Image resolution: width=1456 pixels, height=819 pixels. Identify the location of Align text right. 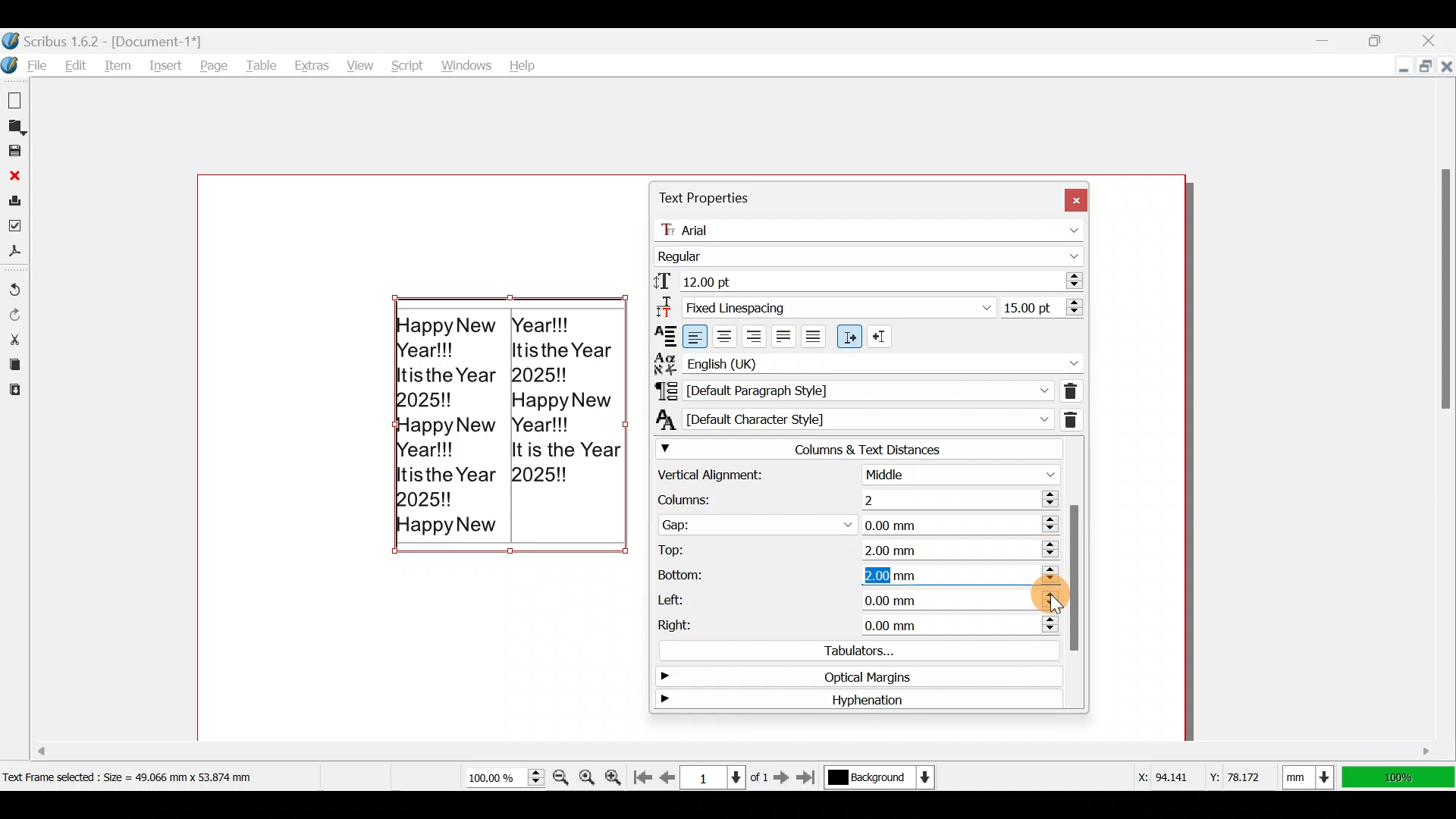
(757, 335).